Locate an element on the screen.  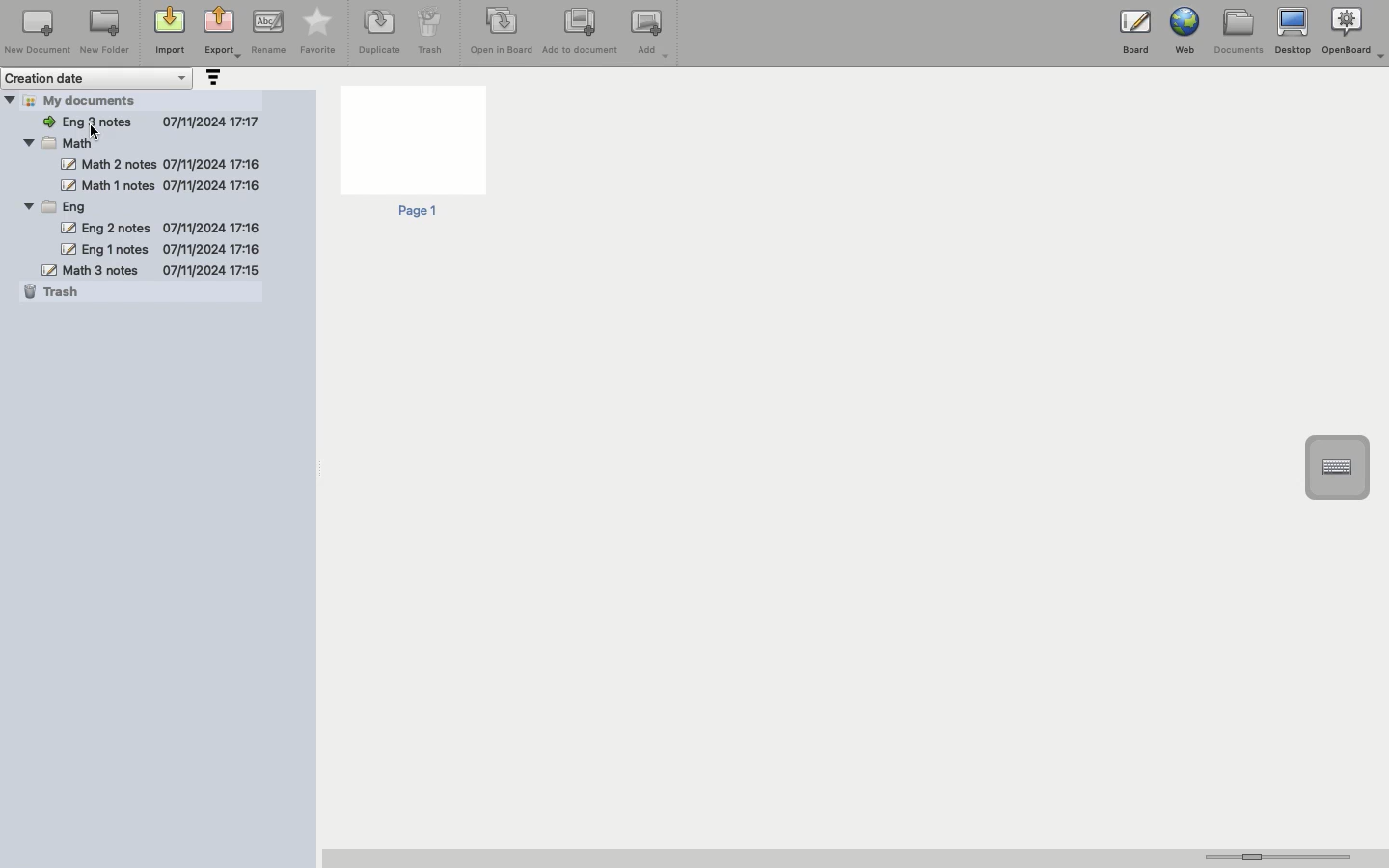
New document is located at coordinates (38, 32).